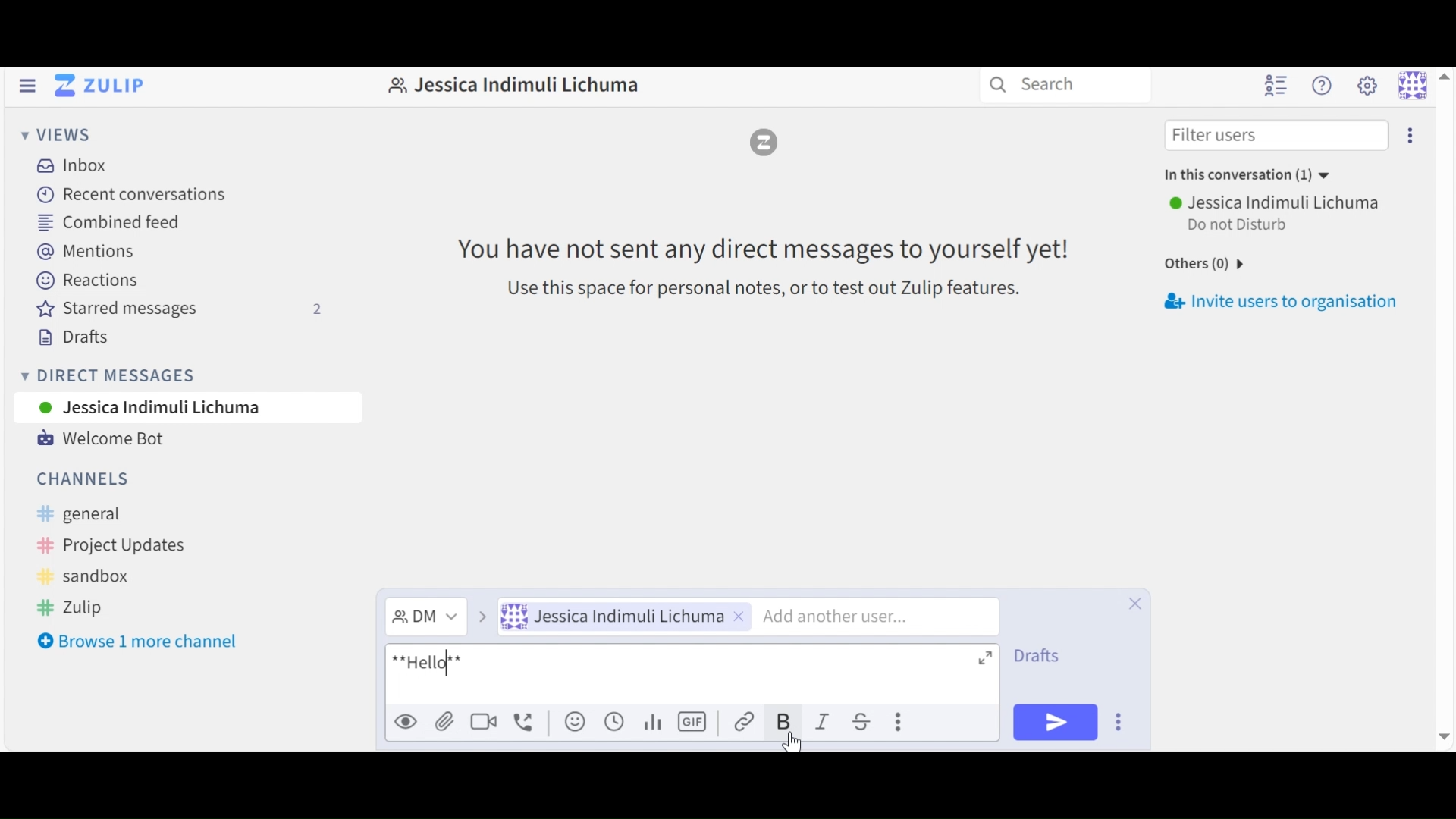 This screenshot has width=1456, height=819. Describe the element at coordinates (86, 477) in the screenshot. I see `Channels` at that location.